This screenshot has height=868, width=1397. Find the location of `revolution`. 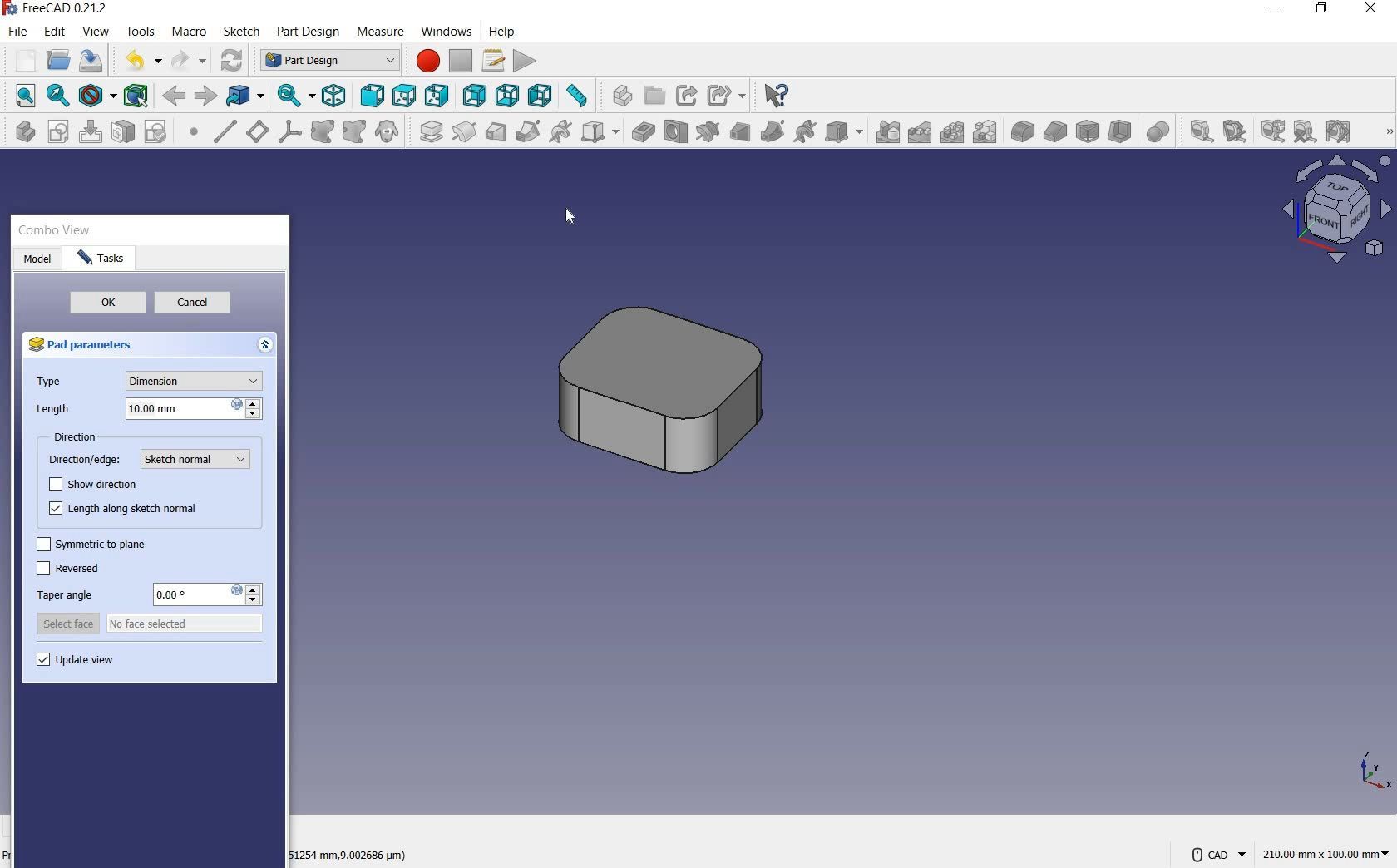

revolution is located at coordinates (465, 132).